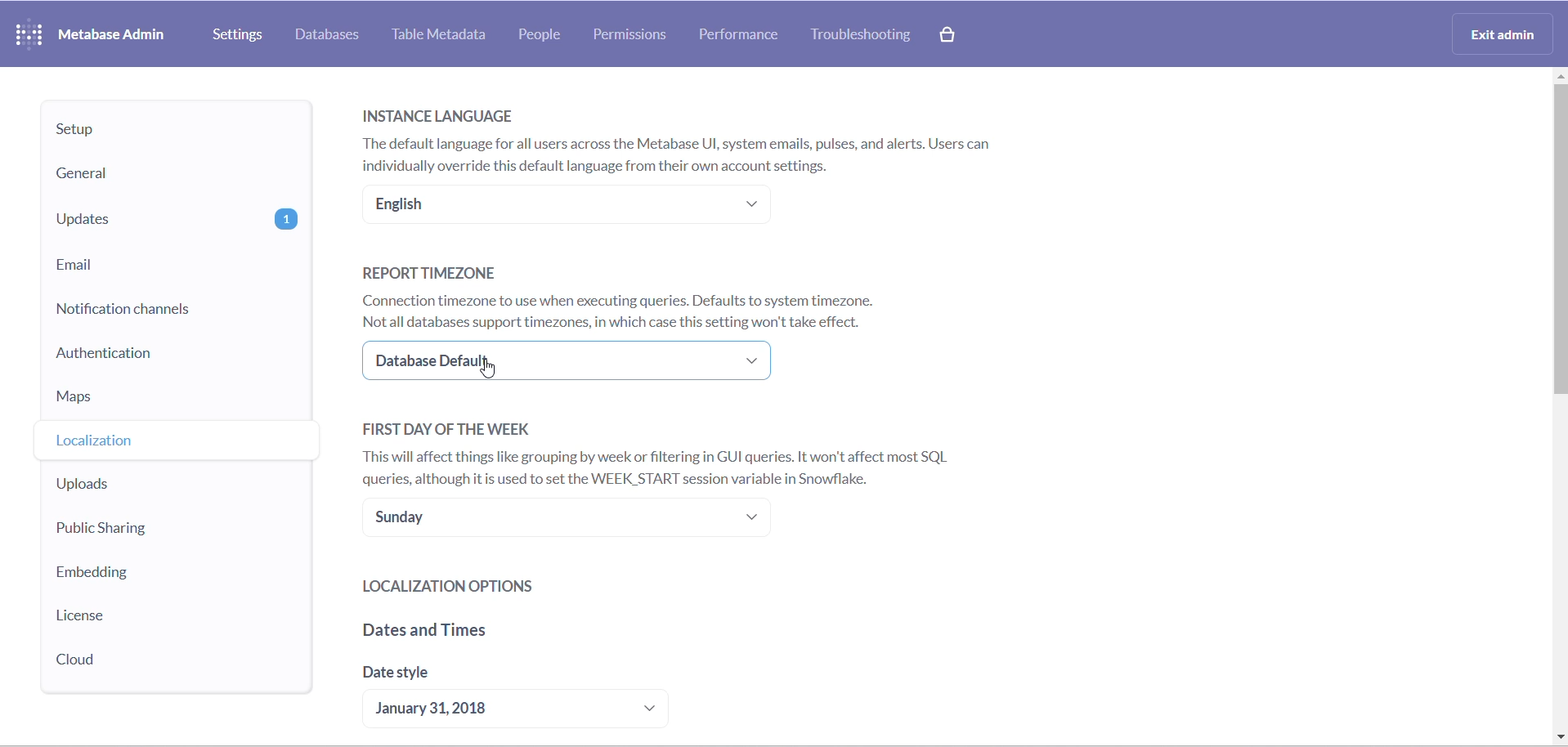 This screenshot has height=747, width=1568. I want to click on LOGO AND APPLICATION NAME, so click(90, 33).